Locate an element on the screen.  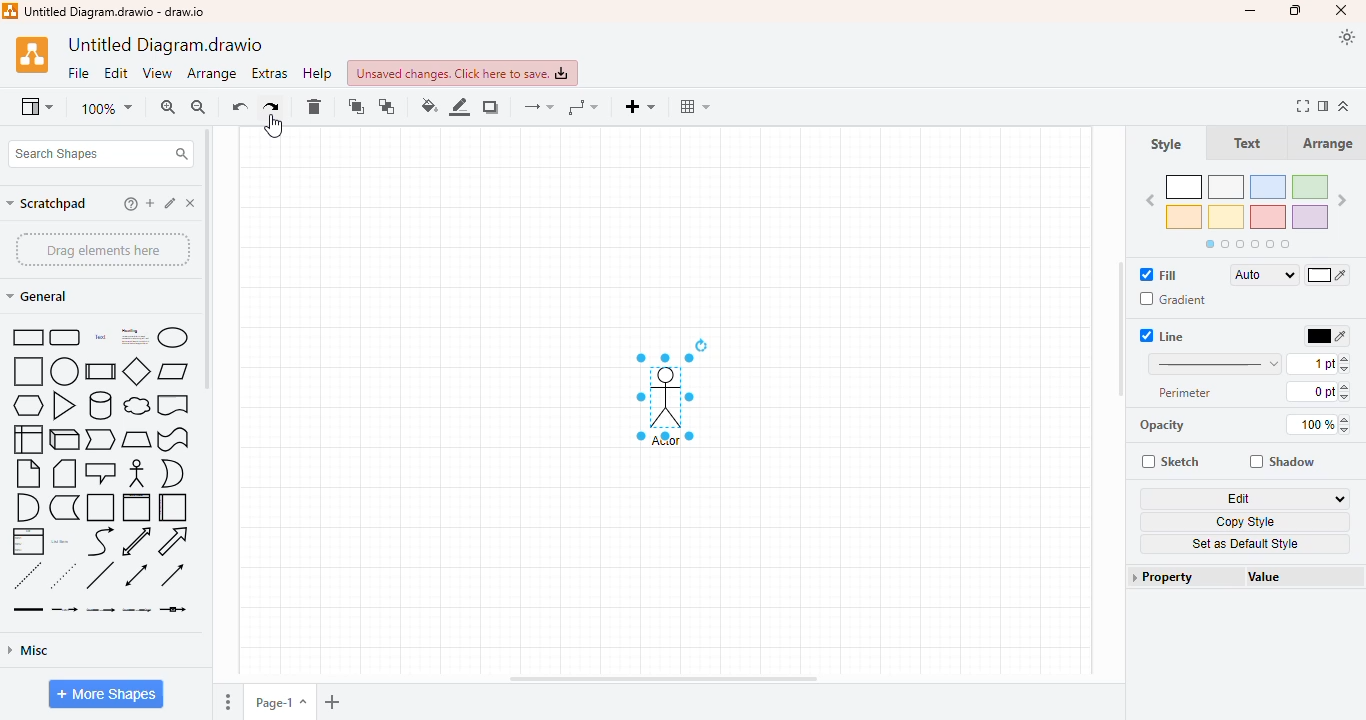
format is located at coordinates (1325, 106).